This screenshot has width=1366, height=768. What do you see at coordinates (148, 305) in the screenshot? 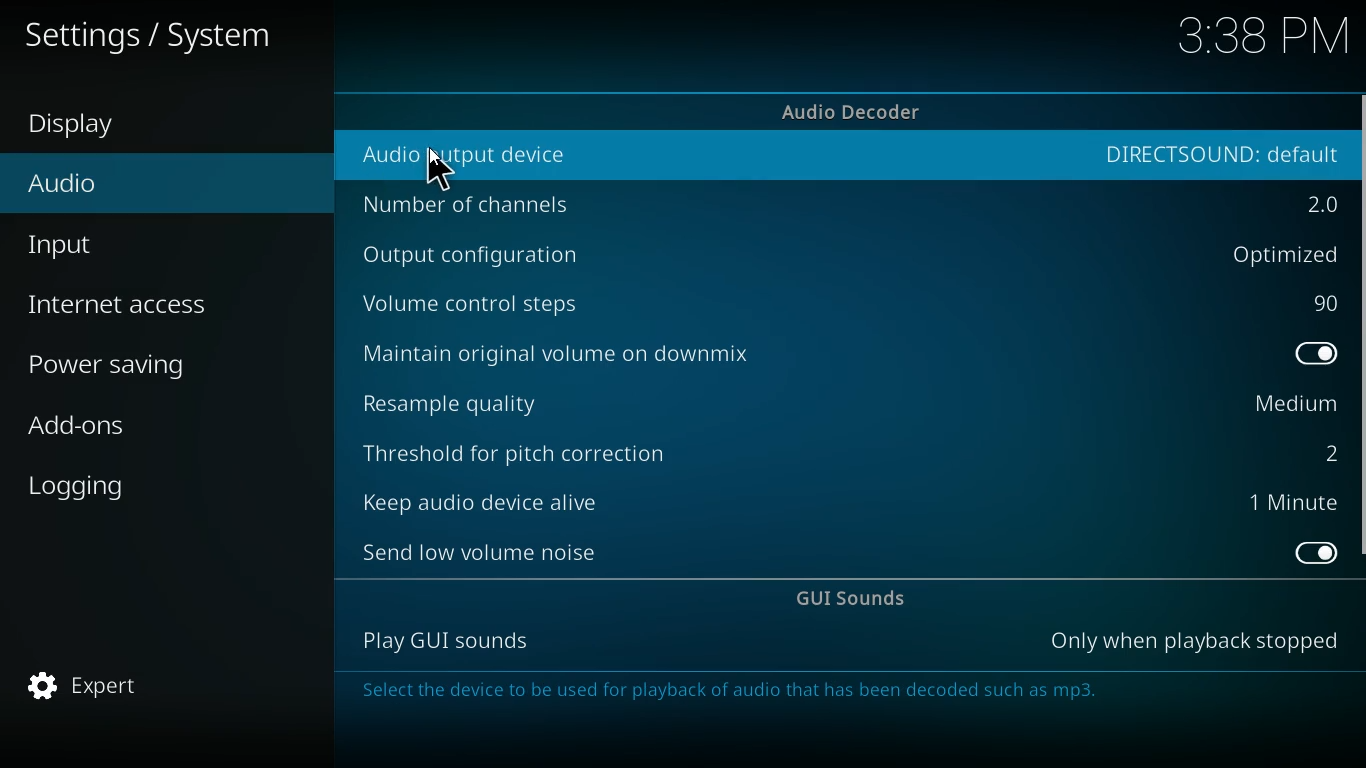
I see `internet access` at bounding box center [148, 305].